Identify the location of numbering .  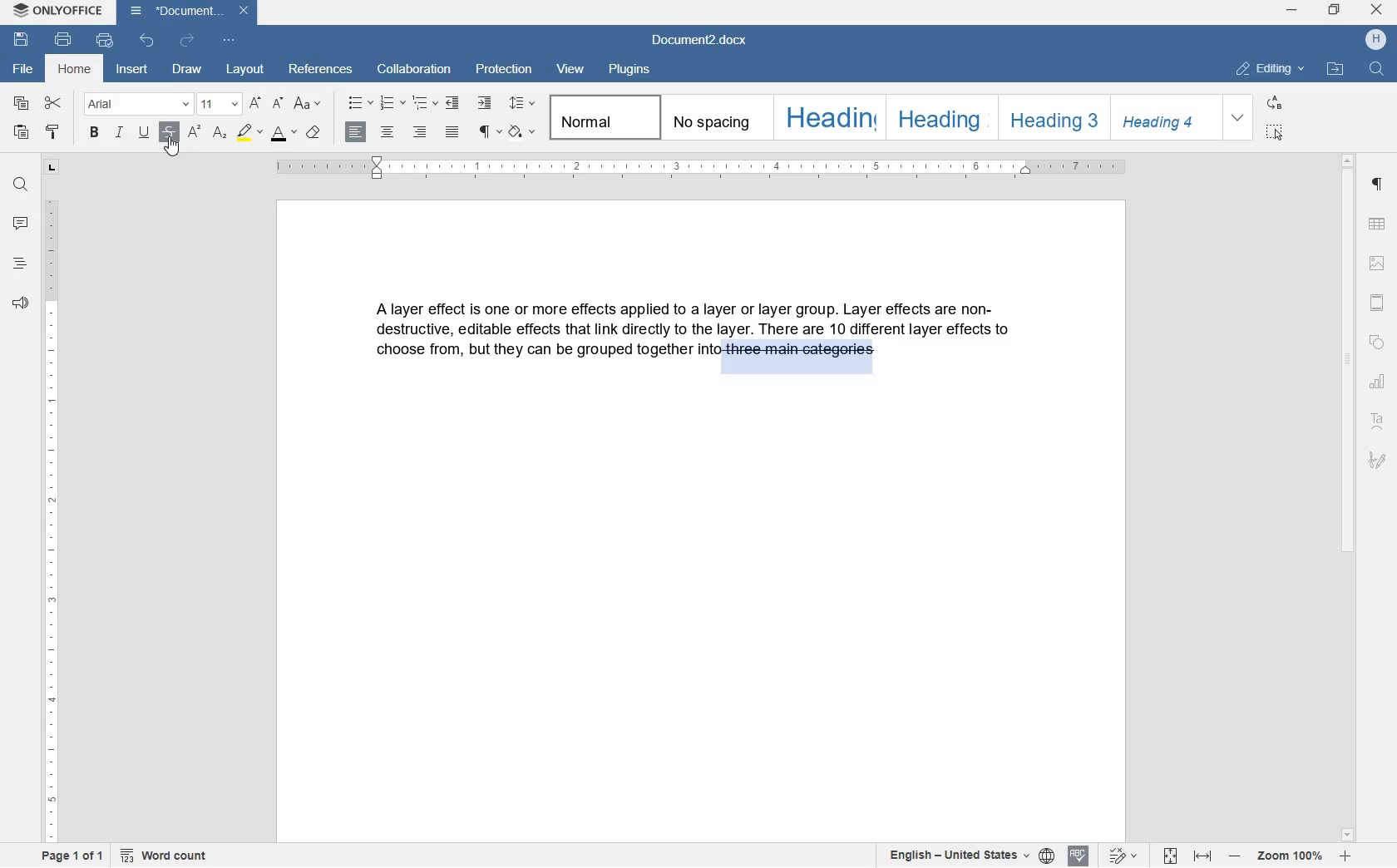
(392, 103).